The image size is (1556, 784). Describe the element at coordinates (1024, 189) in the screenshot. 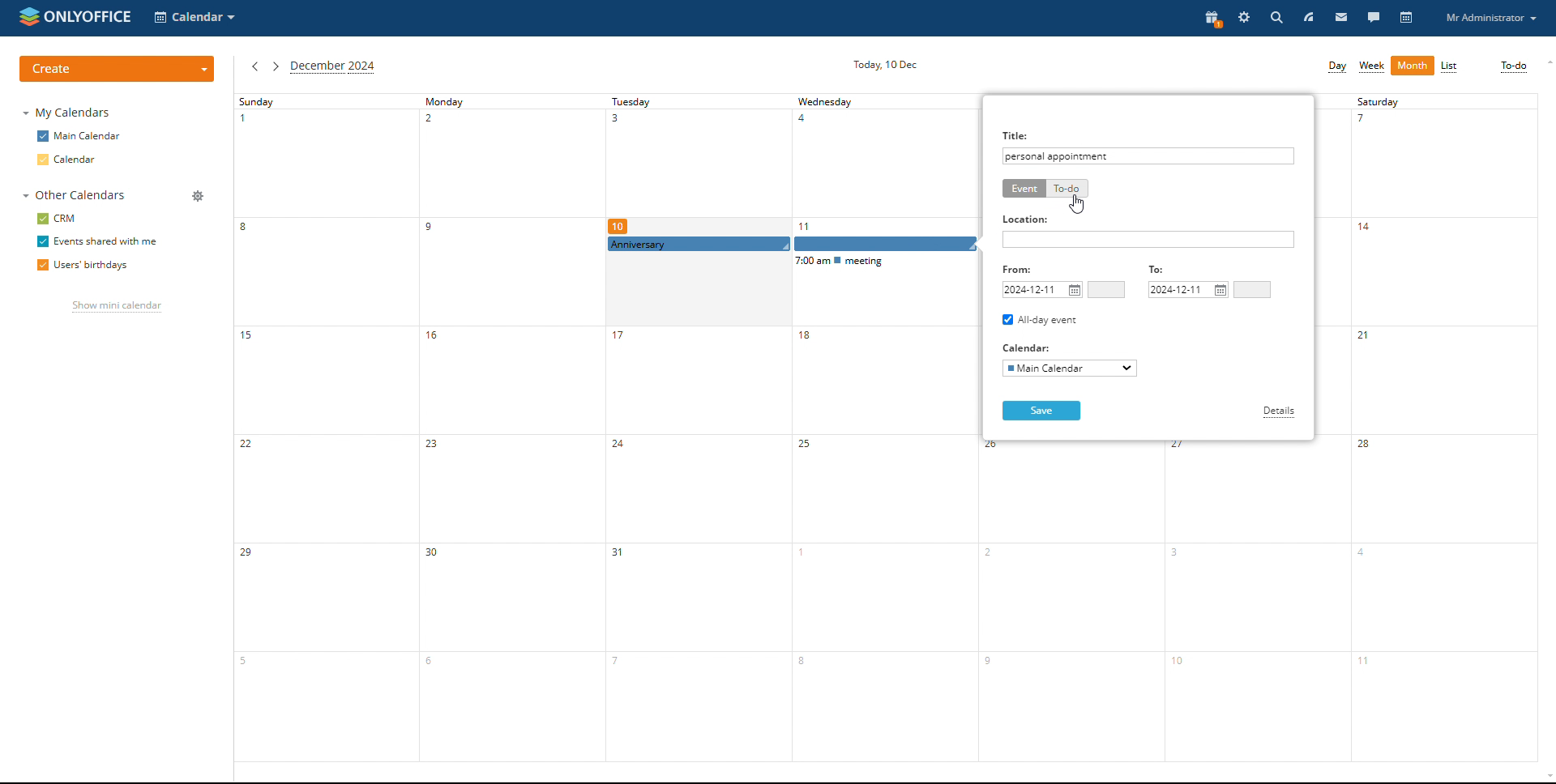

I see `event` at that location.